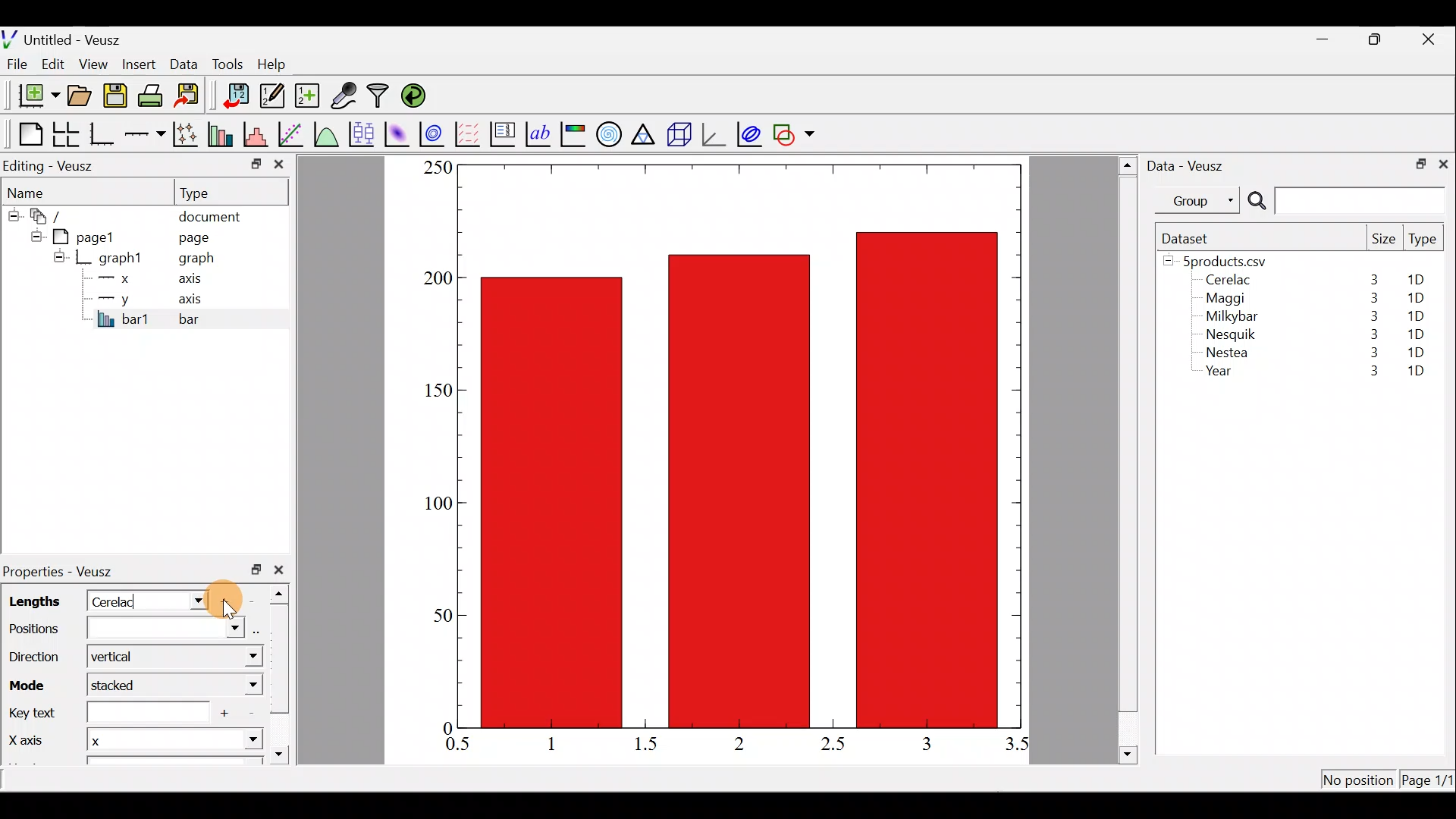 The image size is (1456, 819). Describe the element at coordinates (1443, 163) in the screenshot. I see `close` at that location.